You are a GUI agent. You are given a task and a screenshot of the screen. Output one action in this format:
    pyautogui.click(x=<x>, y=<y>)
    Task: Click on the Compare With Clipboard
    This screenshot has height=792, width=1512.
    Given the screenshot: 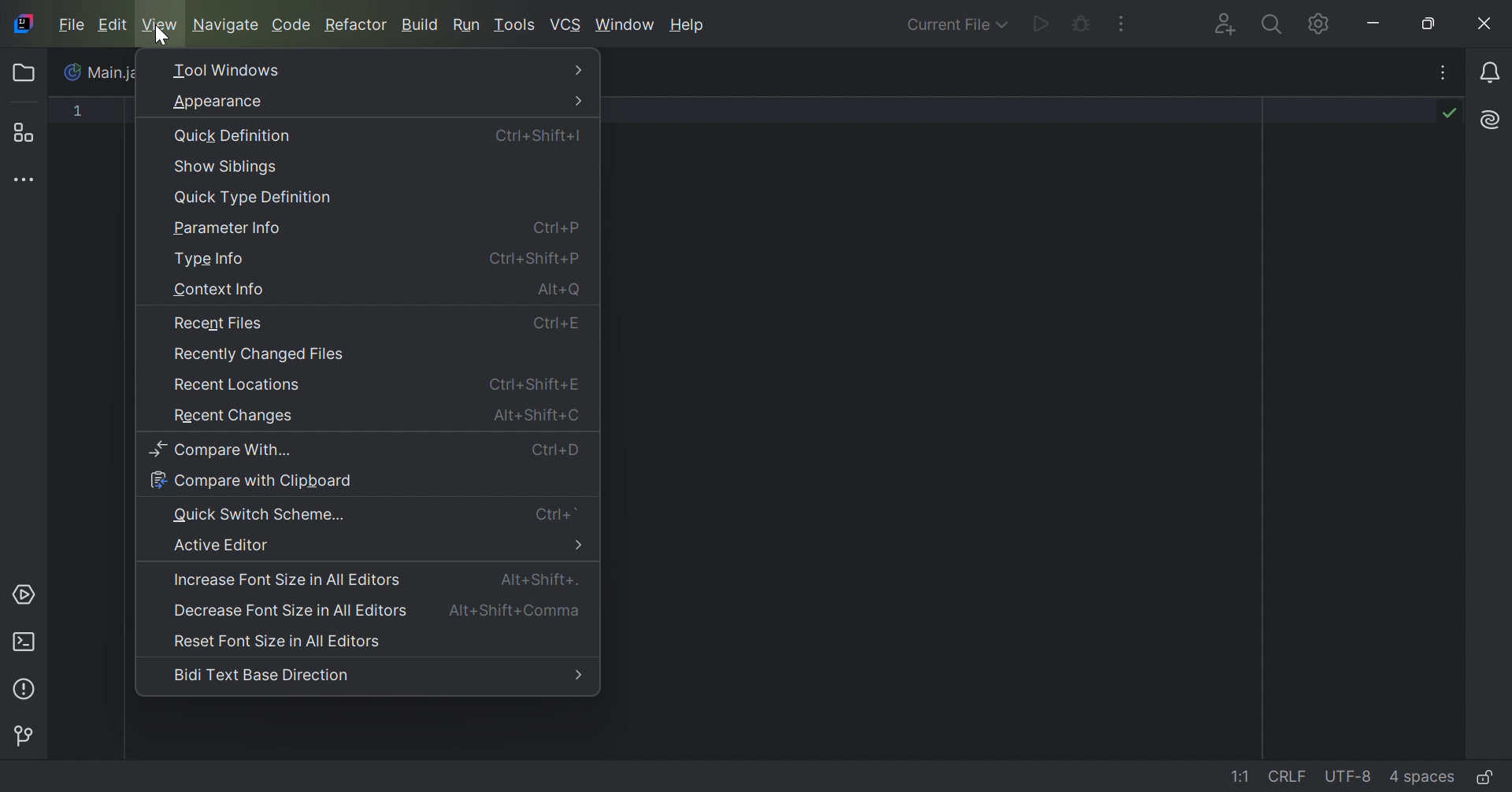 What is the action you would take?
    pyautogui.click(x=251, y=481)
    